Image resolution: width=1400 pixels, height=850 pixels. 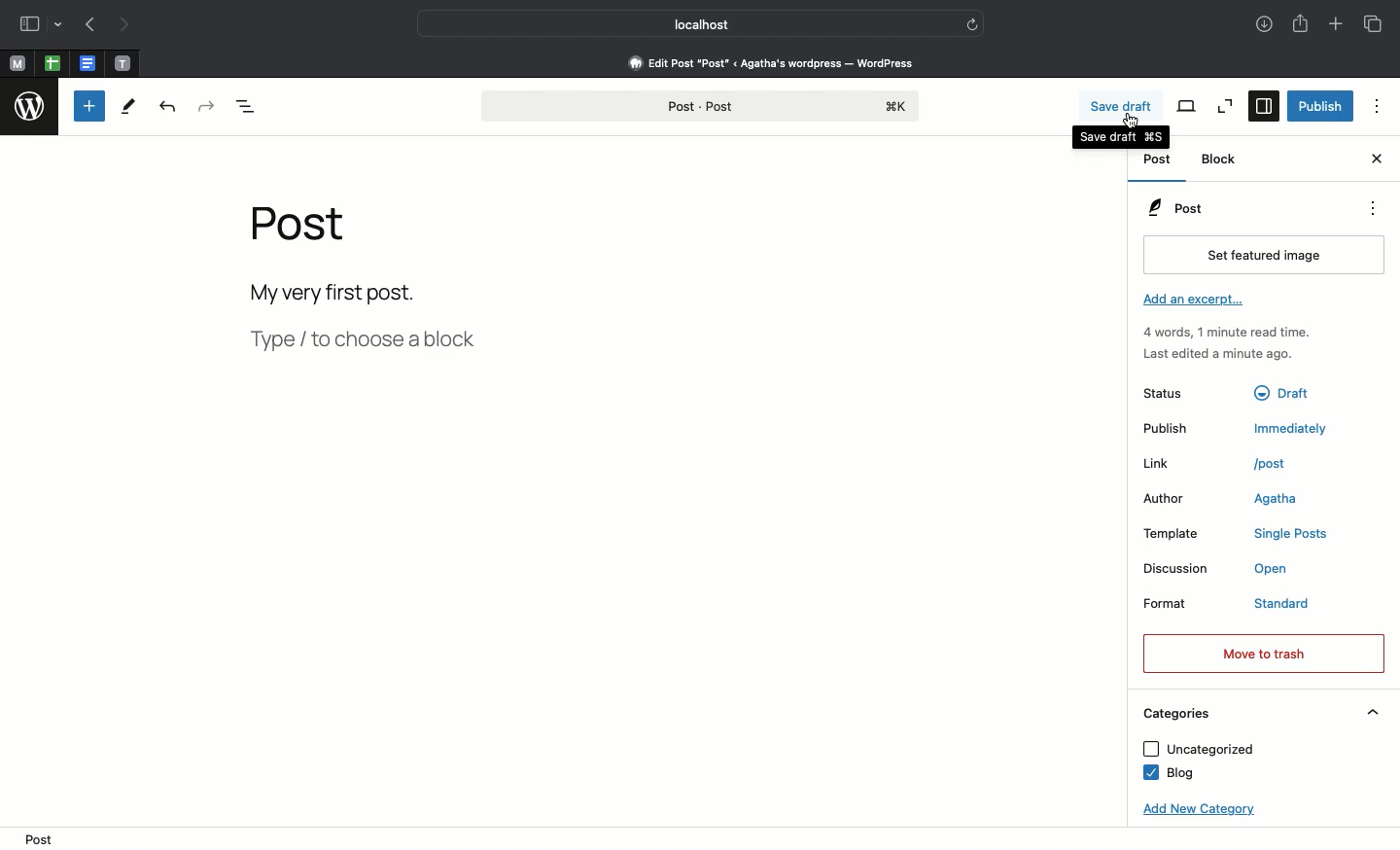 I want to click on agatha, so click(x=1276, y=501).